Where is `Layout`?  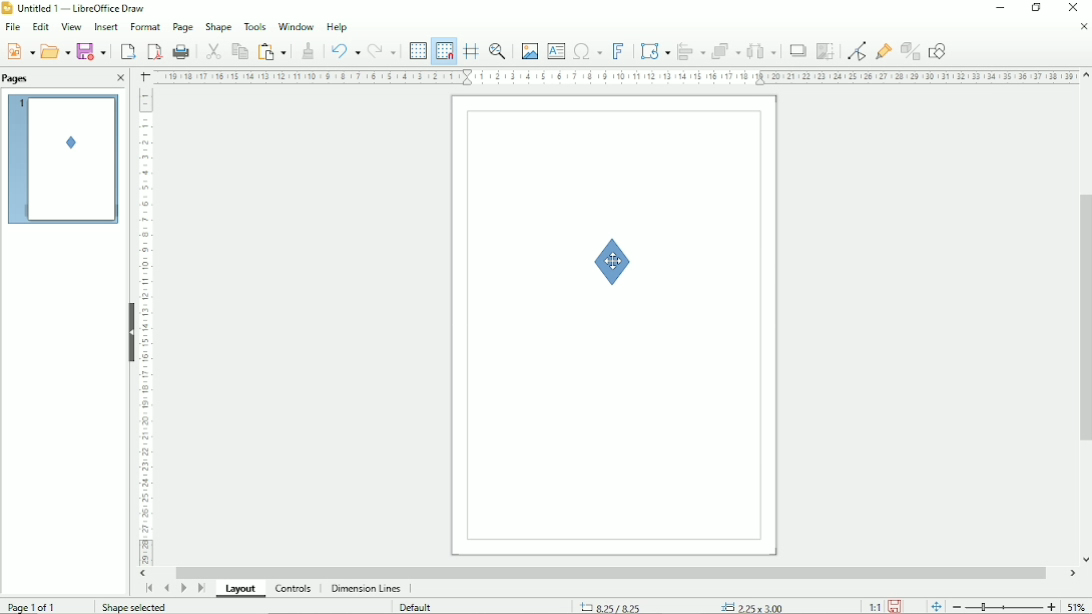 Layout is located at coordinates (239, 589).